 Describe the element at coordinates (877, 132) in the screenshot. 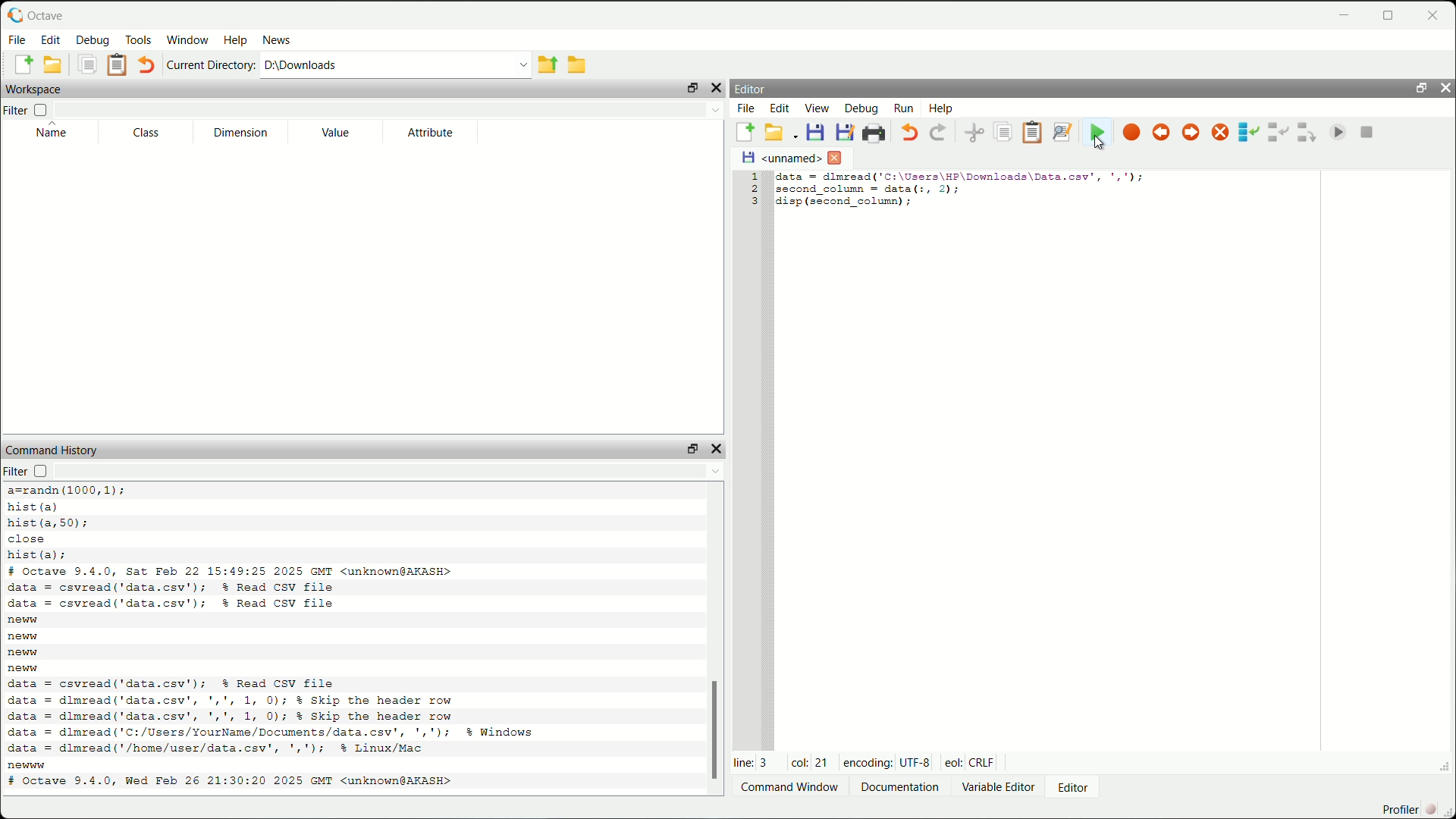

I see `print` at that location.